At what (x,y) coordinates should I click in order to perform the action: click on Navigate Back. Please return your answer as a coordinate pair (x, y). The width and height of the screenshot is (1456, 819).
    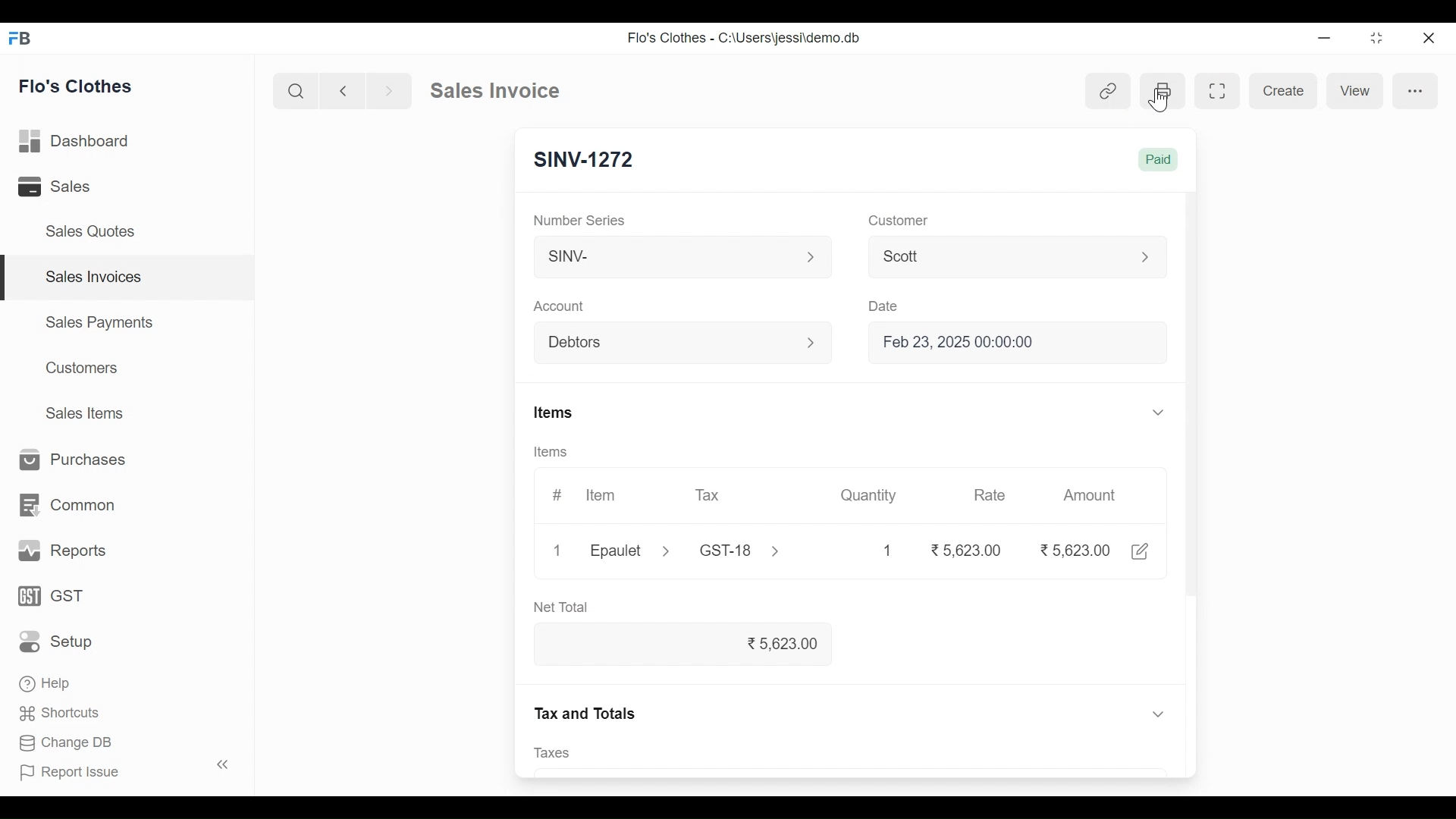
    Looking at the image, I should click on (342, 91).